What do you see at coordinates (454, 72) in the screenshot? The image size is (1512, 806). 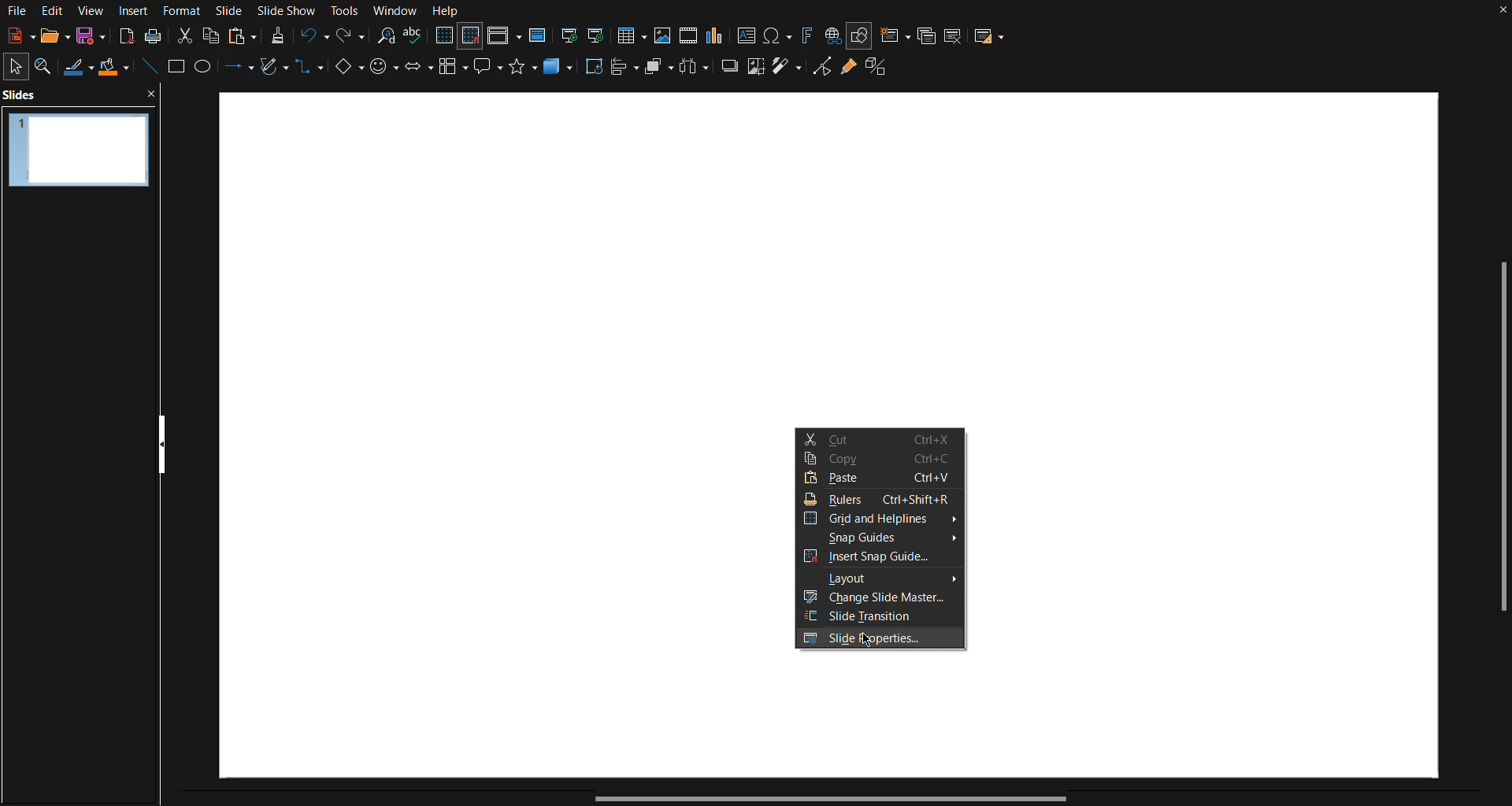 I see `Flowcharts` at bounding box center [454, 72].